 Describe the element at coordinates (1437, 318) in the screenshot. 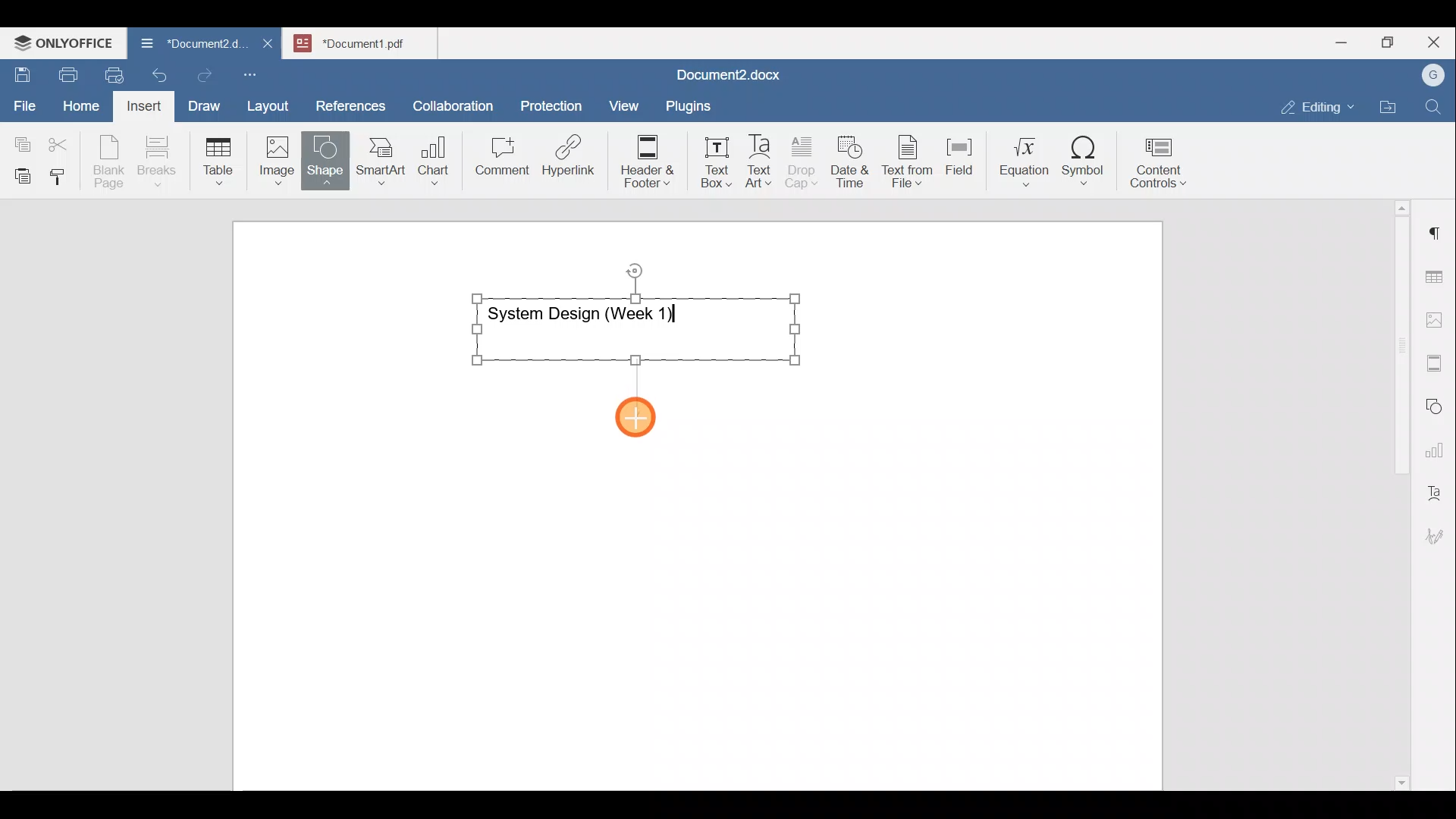

I see `Image settings` at that location.